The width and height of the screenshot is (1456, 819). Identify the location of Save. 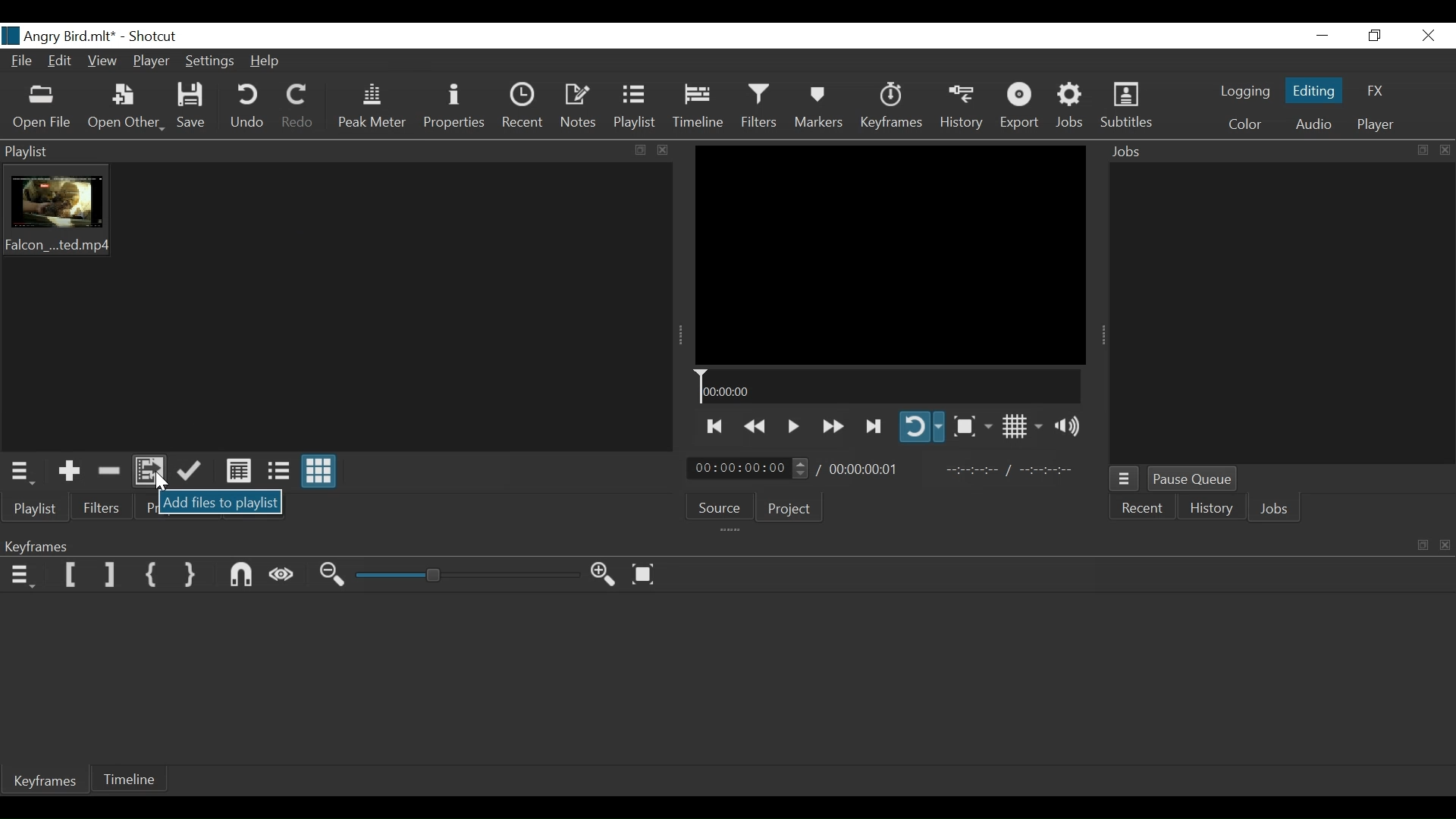
(193, 105).